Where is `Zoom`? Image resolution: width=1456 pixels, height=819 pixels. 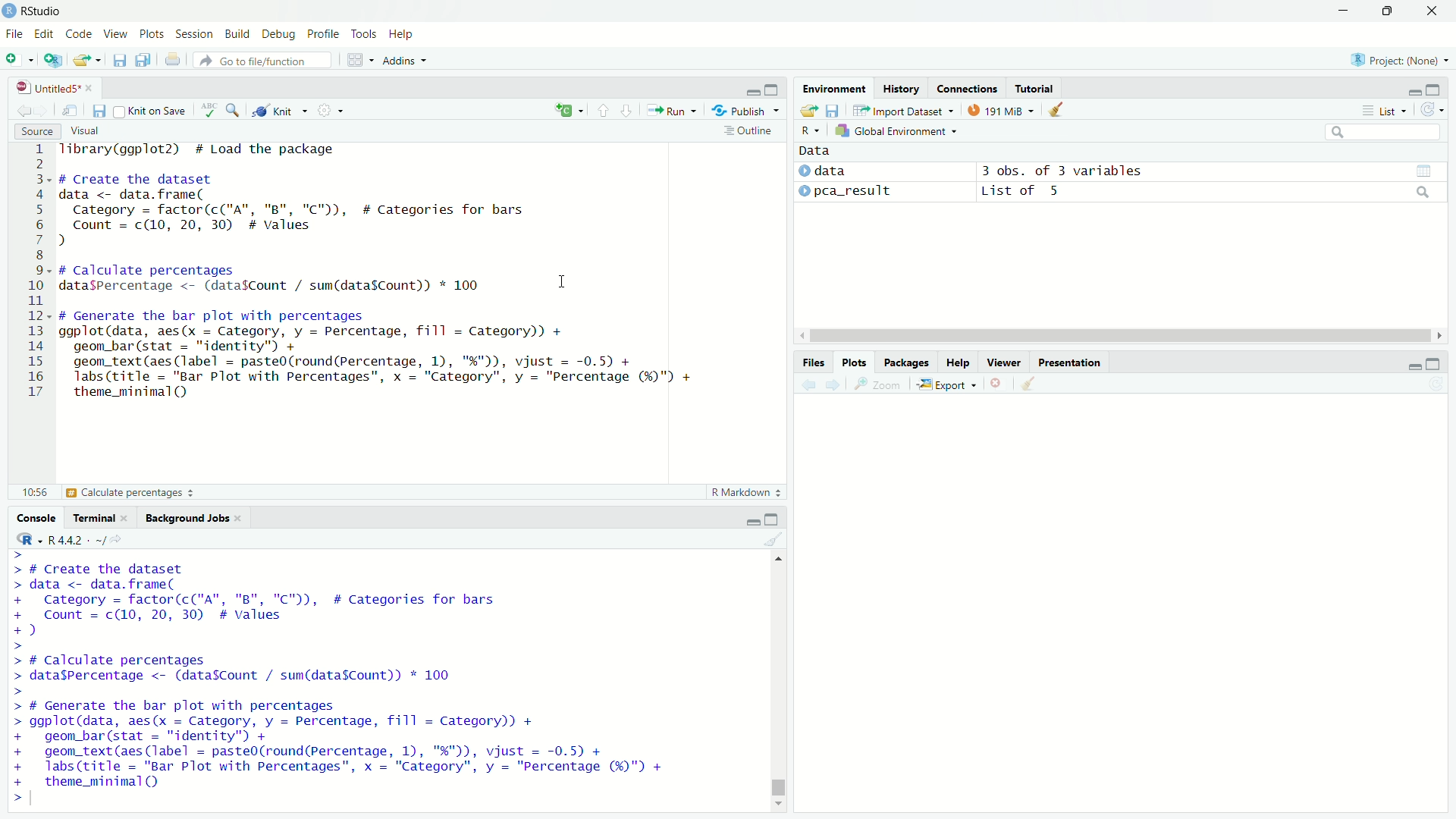
Zoom is located at coordinates (878, 384).